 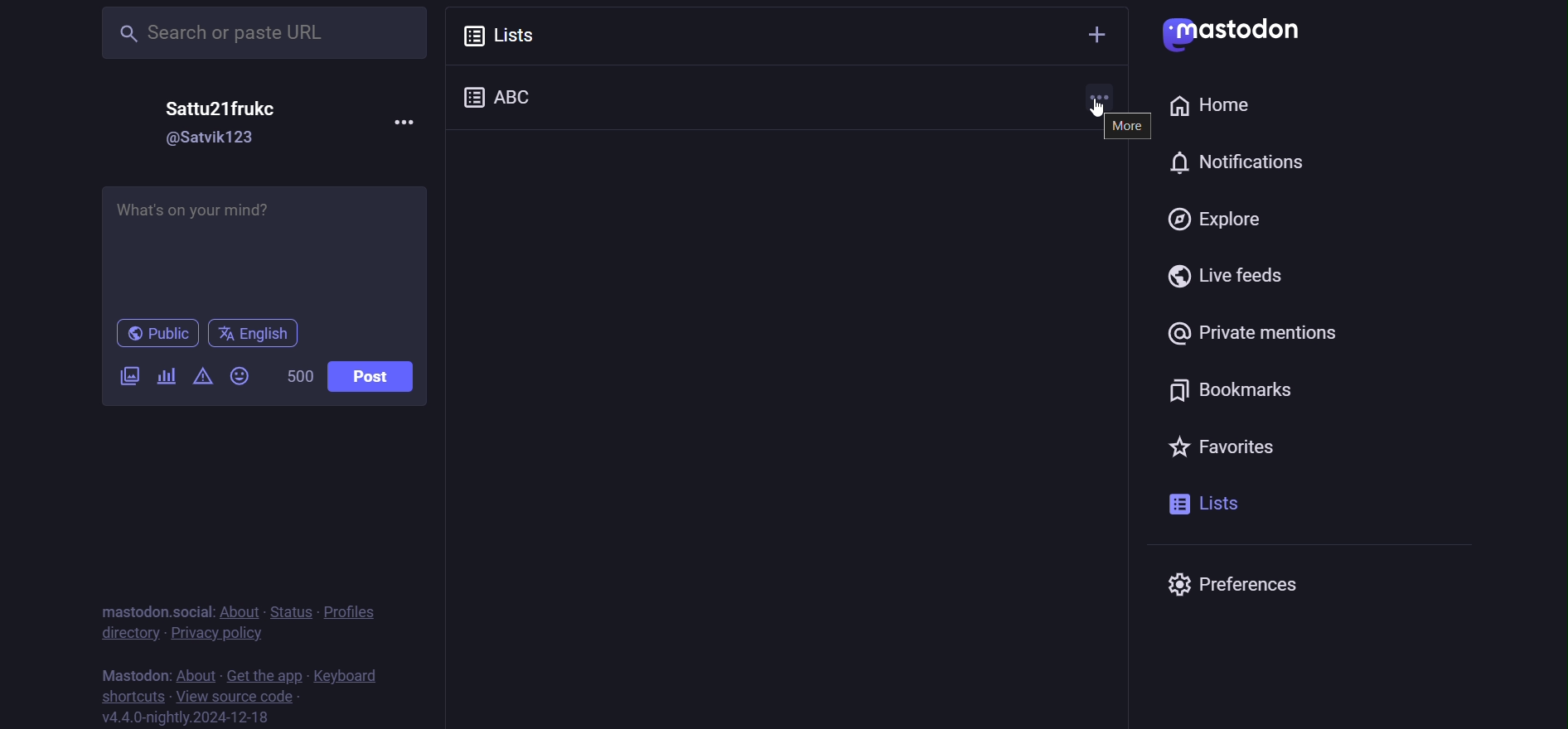 I want to click on list, so click(x=512, y=33).